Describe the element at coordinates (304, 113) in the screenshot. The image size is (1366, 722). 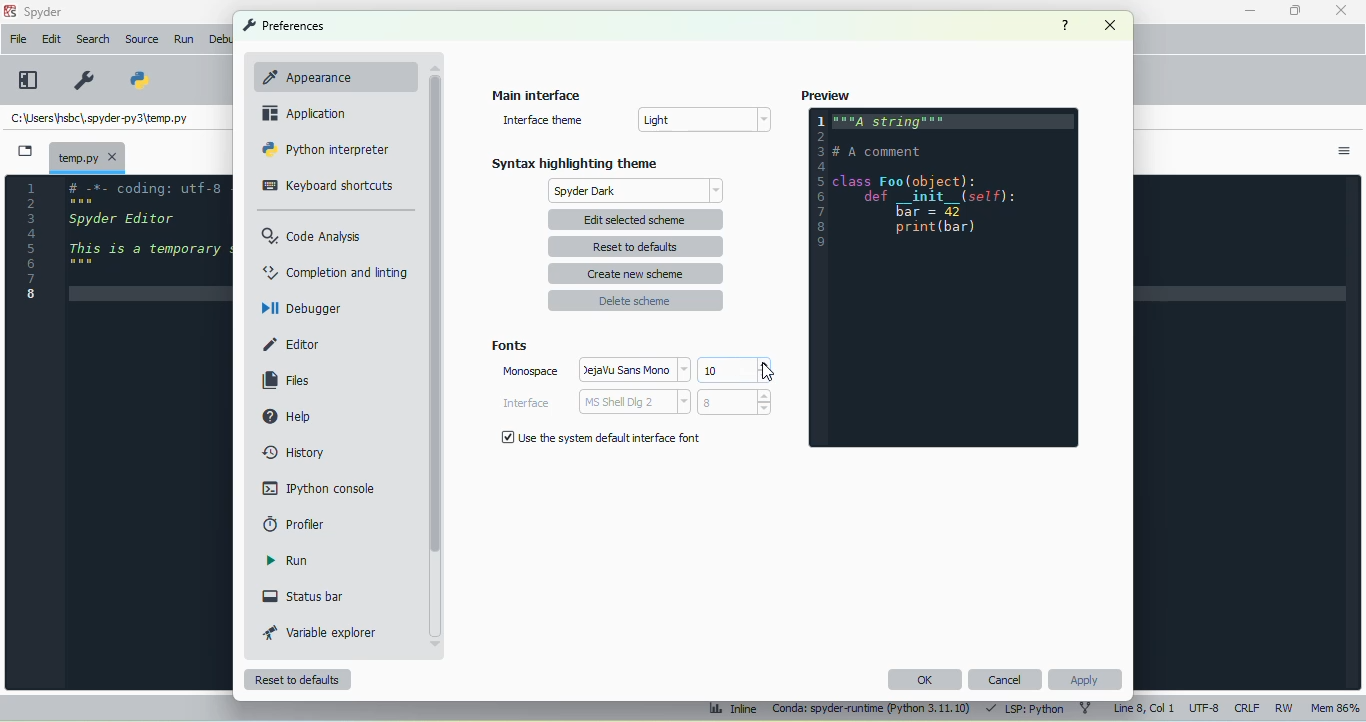
I see `application` at that location.